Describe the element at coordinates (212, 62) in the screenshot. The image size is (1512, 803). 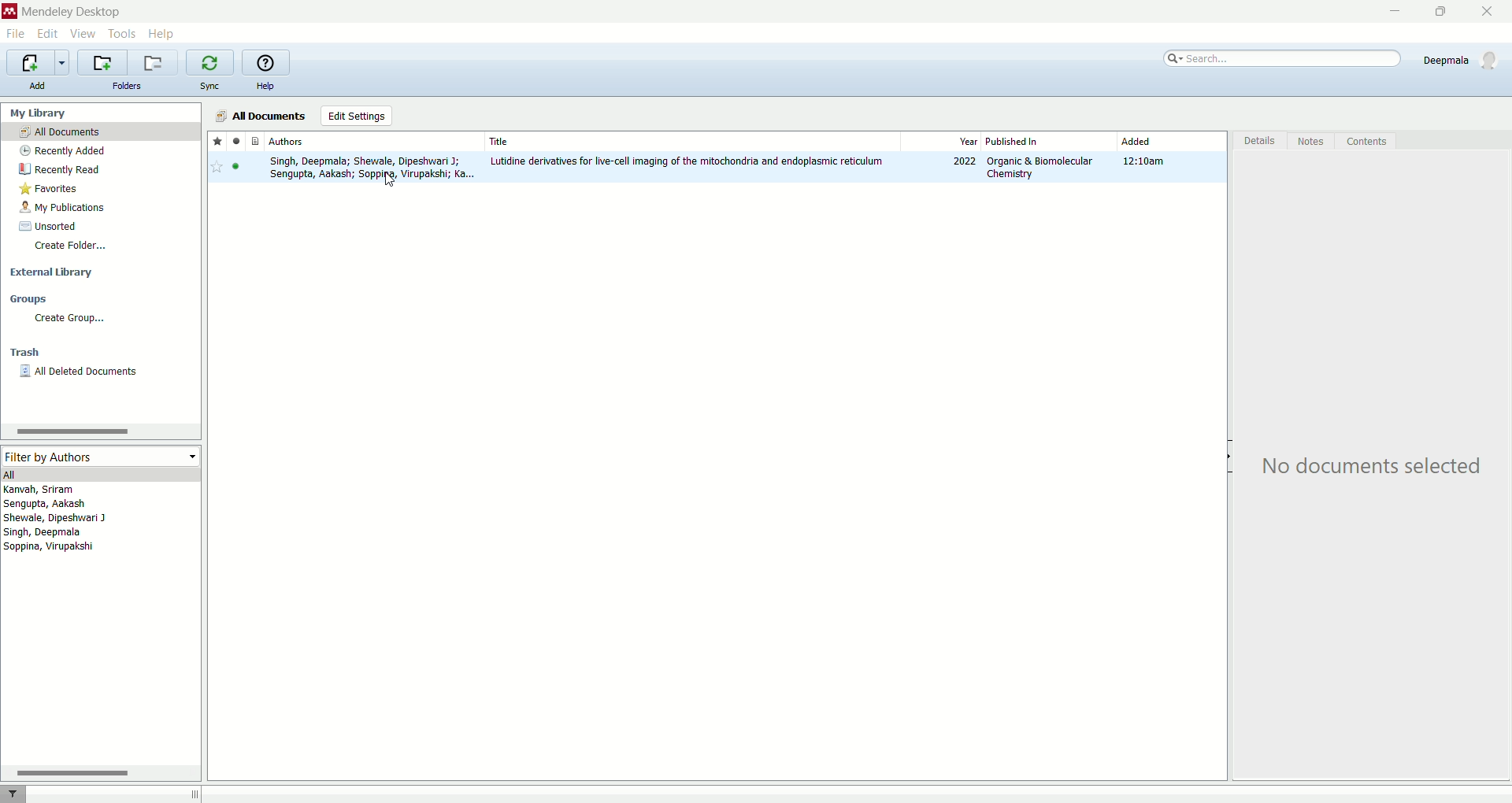
I see `synchronize your library with Mendeley web` at that location.